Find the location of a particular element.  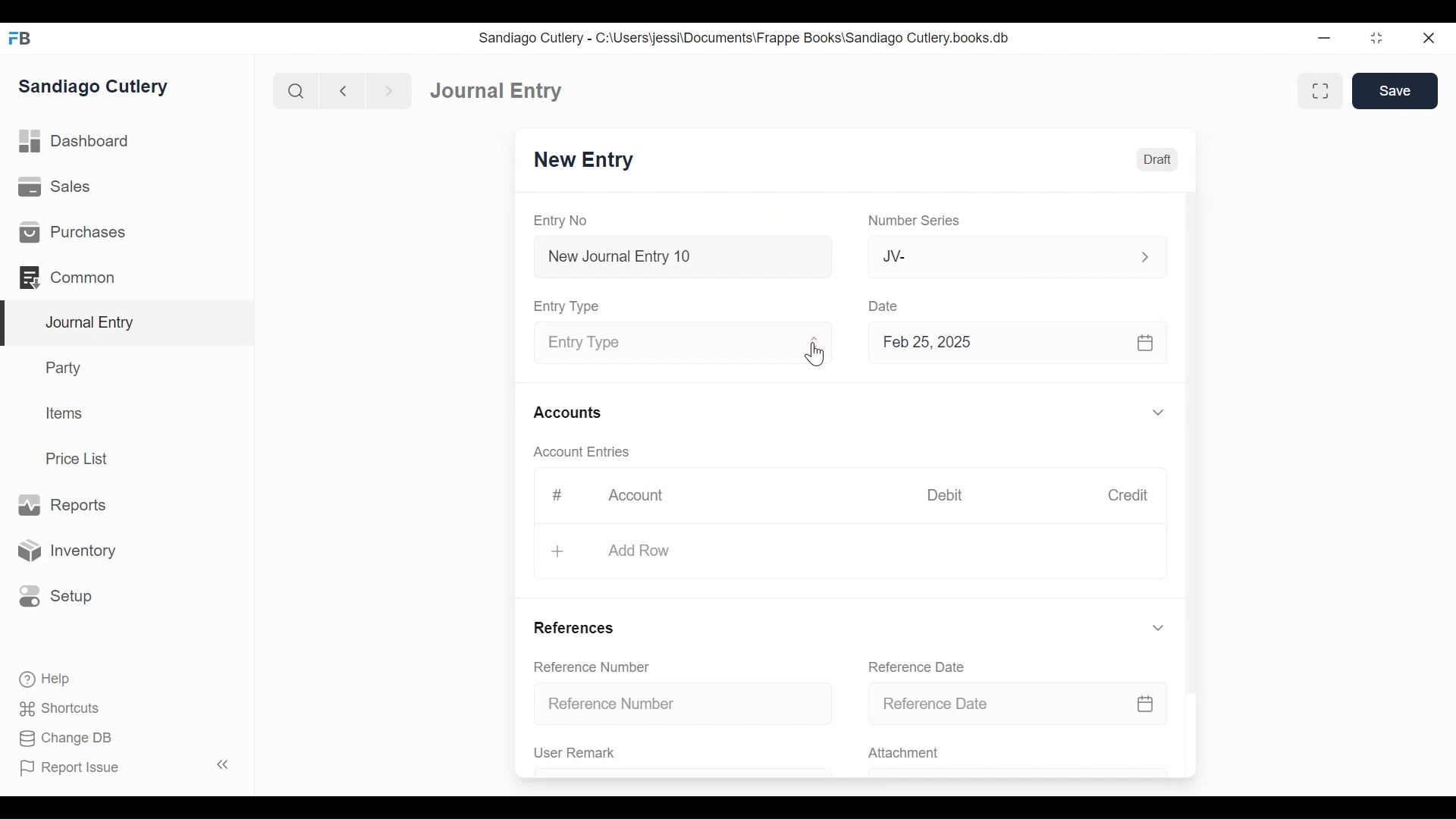

# is located at coordinates (560, 494).